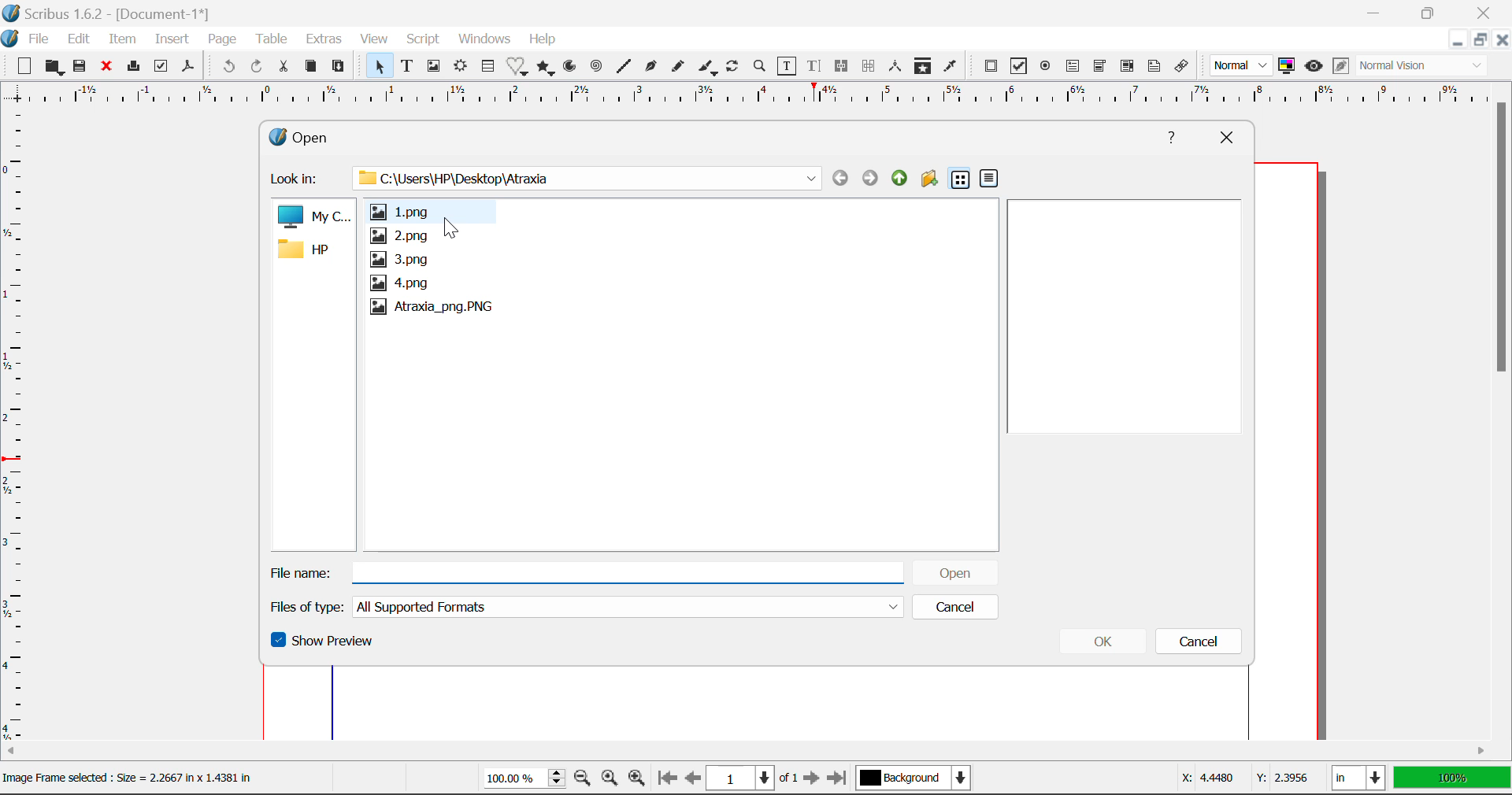  What do you see at coordinates (753, 778) in the screenshot?
I see `1 of 1` at bounding box center [753, 778].